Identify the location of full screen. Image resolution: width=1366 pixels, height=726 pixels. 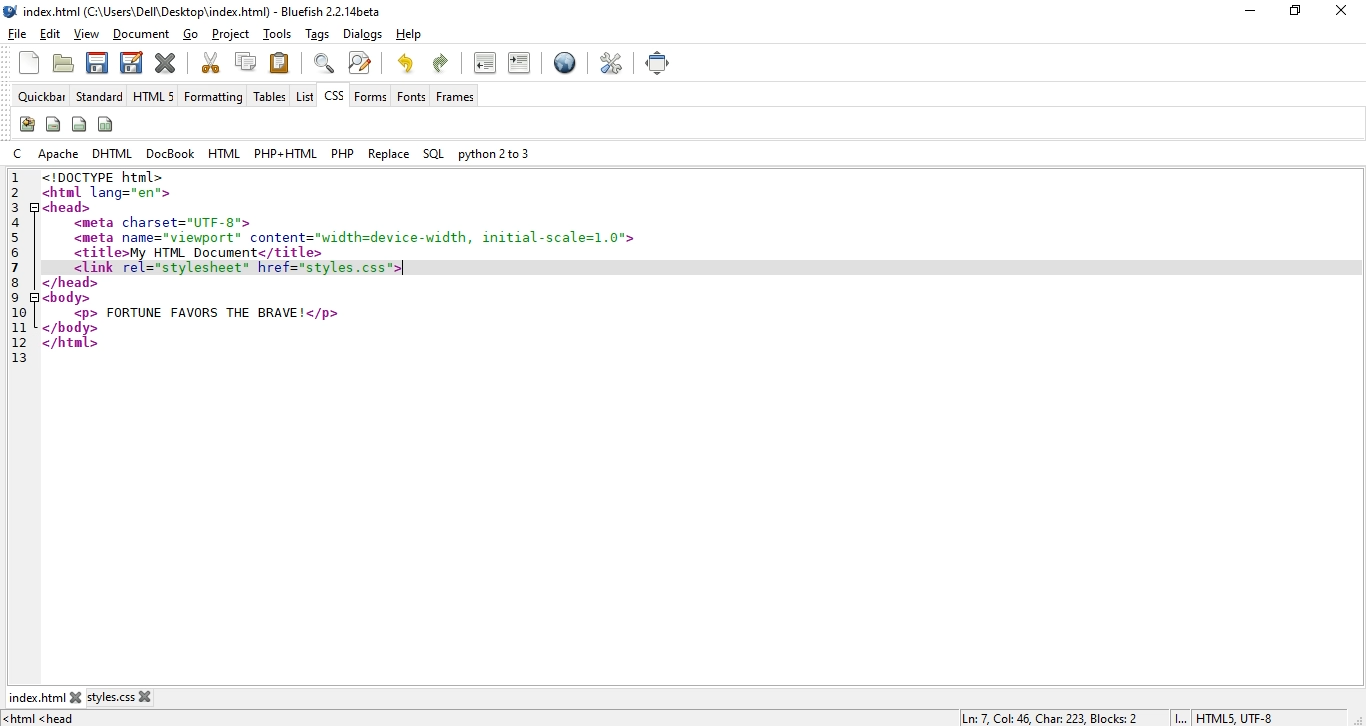
(659, 63).